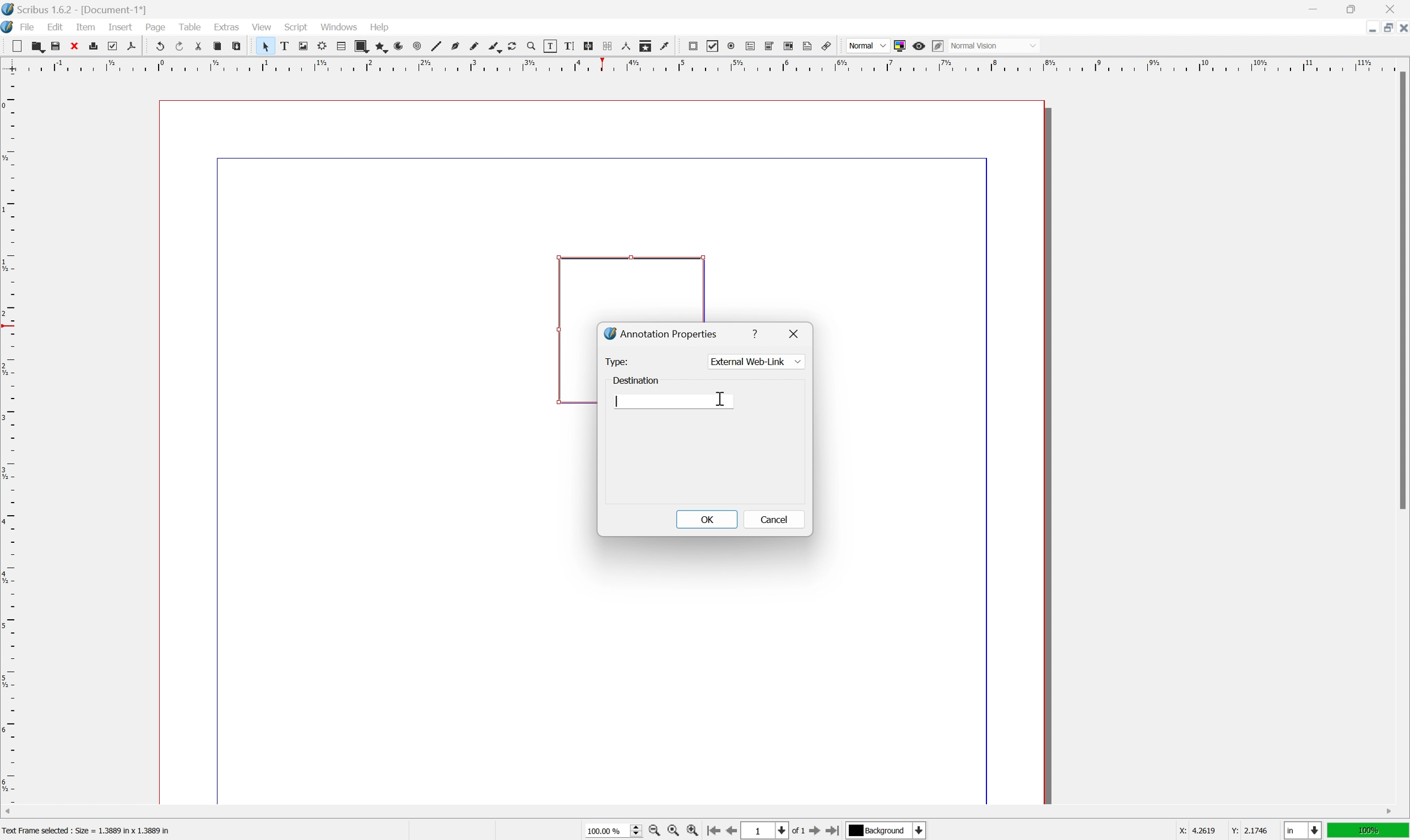 The height and width of the screenshot is (840, 1410). What do you see at coordinates (729, 830) in the screenshot?
I see `go to previous page` at bounding box center [729, 830].